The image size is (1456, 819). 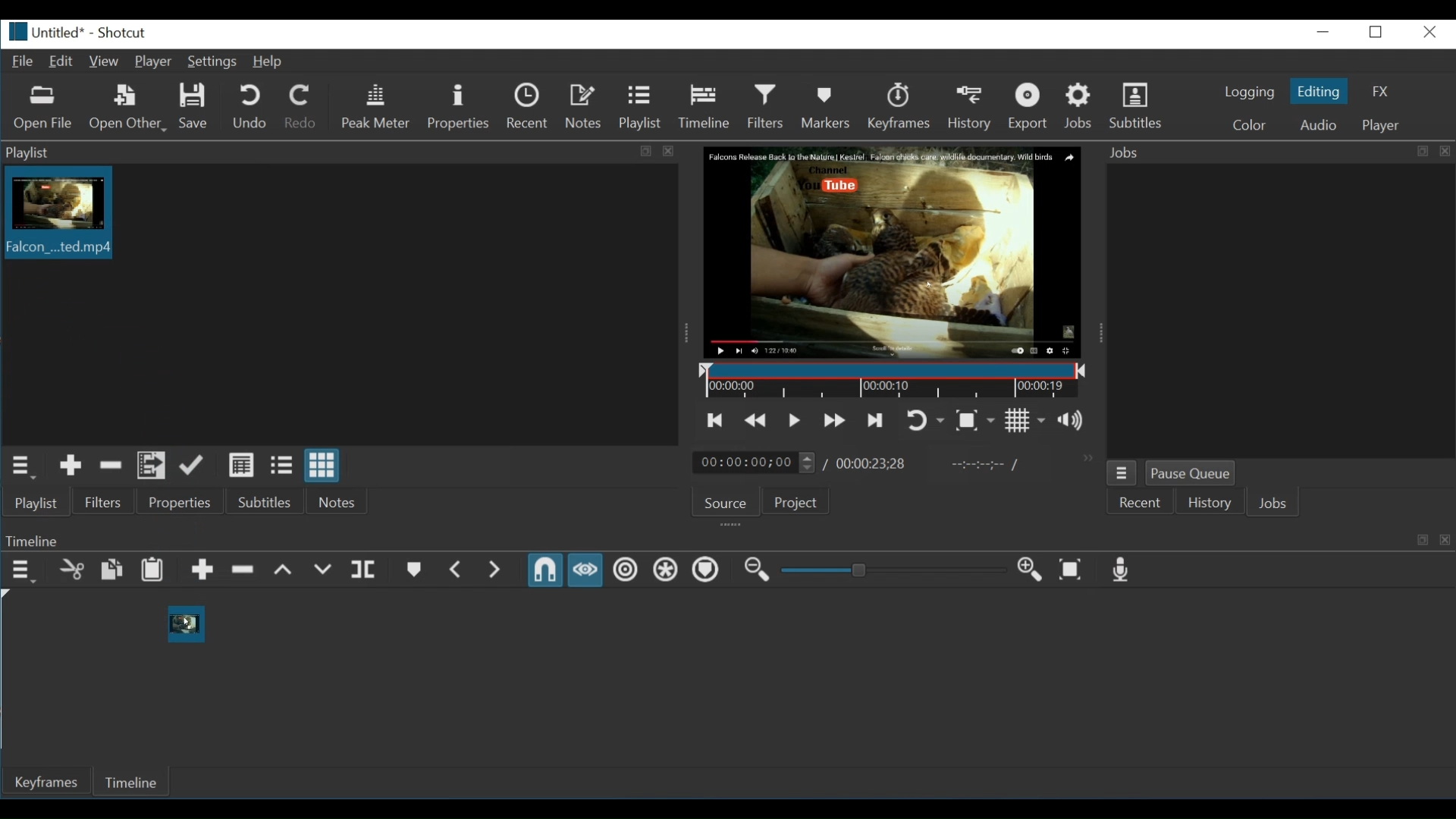 I want to click on View, so click(x=103, y=62).